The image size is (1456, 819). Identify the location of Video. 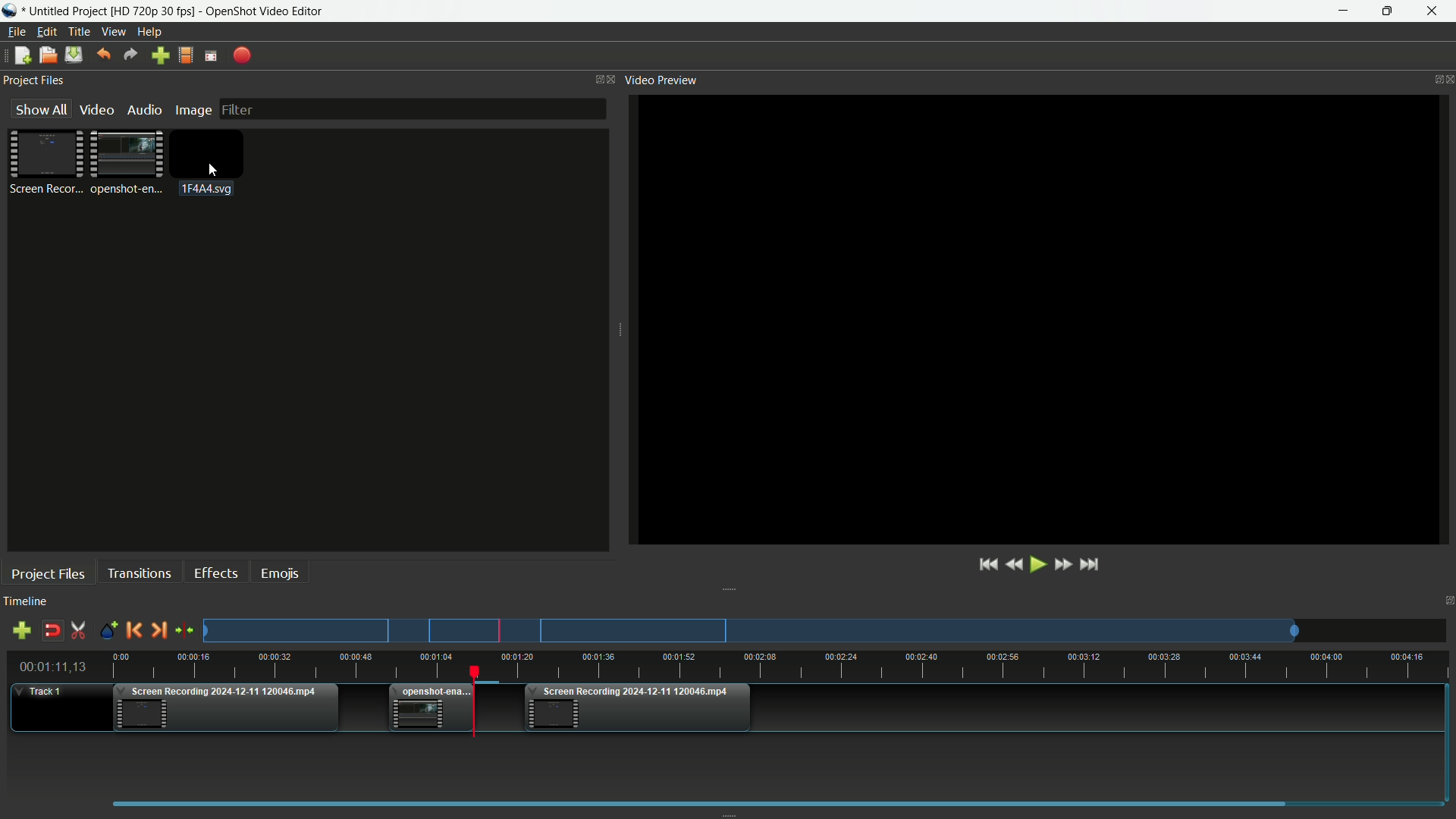
(95, 109).